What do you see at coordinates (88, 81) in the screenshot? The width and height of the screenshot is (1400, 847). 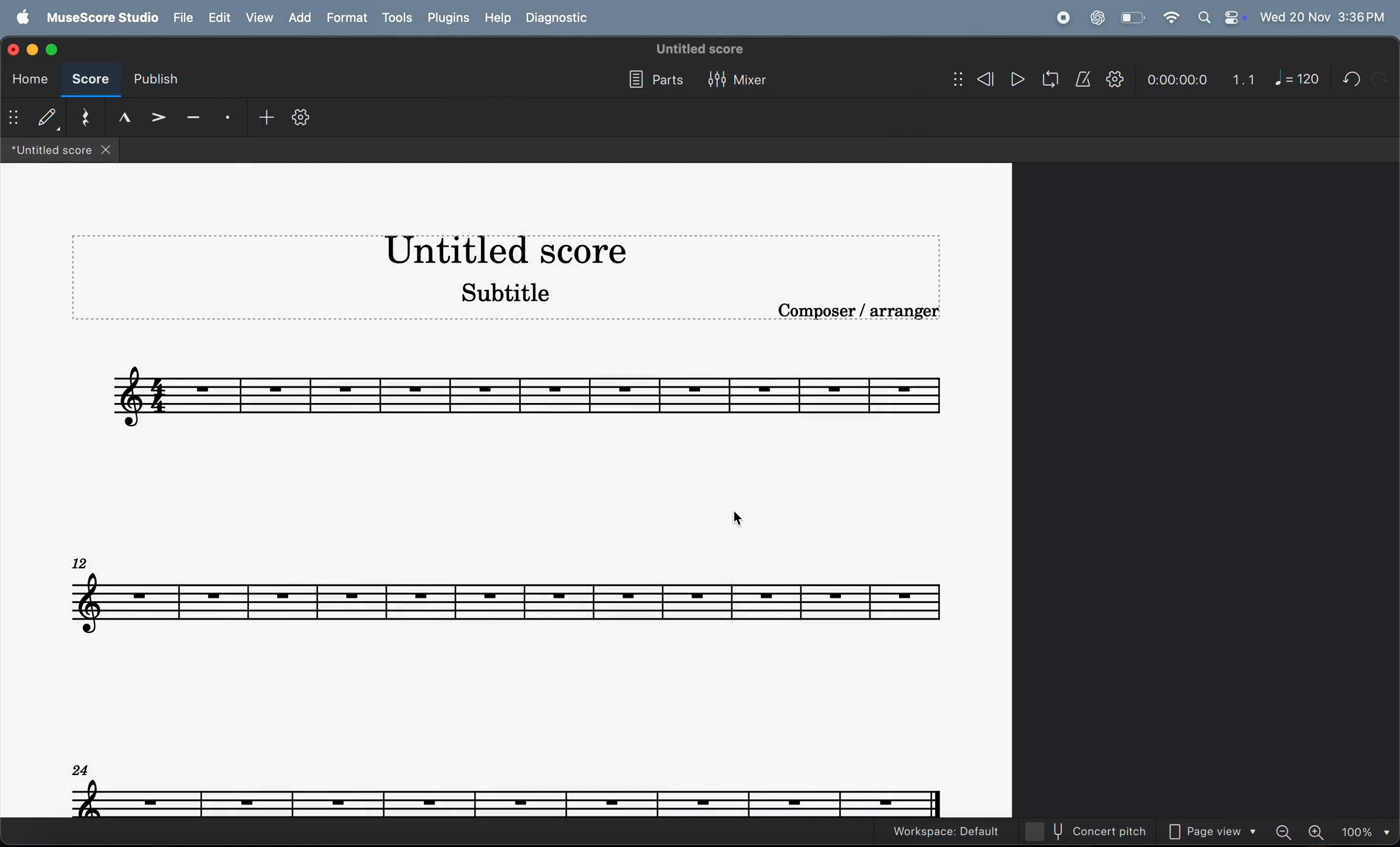 I see `score` at bounding box center [88, 81].